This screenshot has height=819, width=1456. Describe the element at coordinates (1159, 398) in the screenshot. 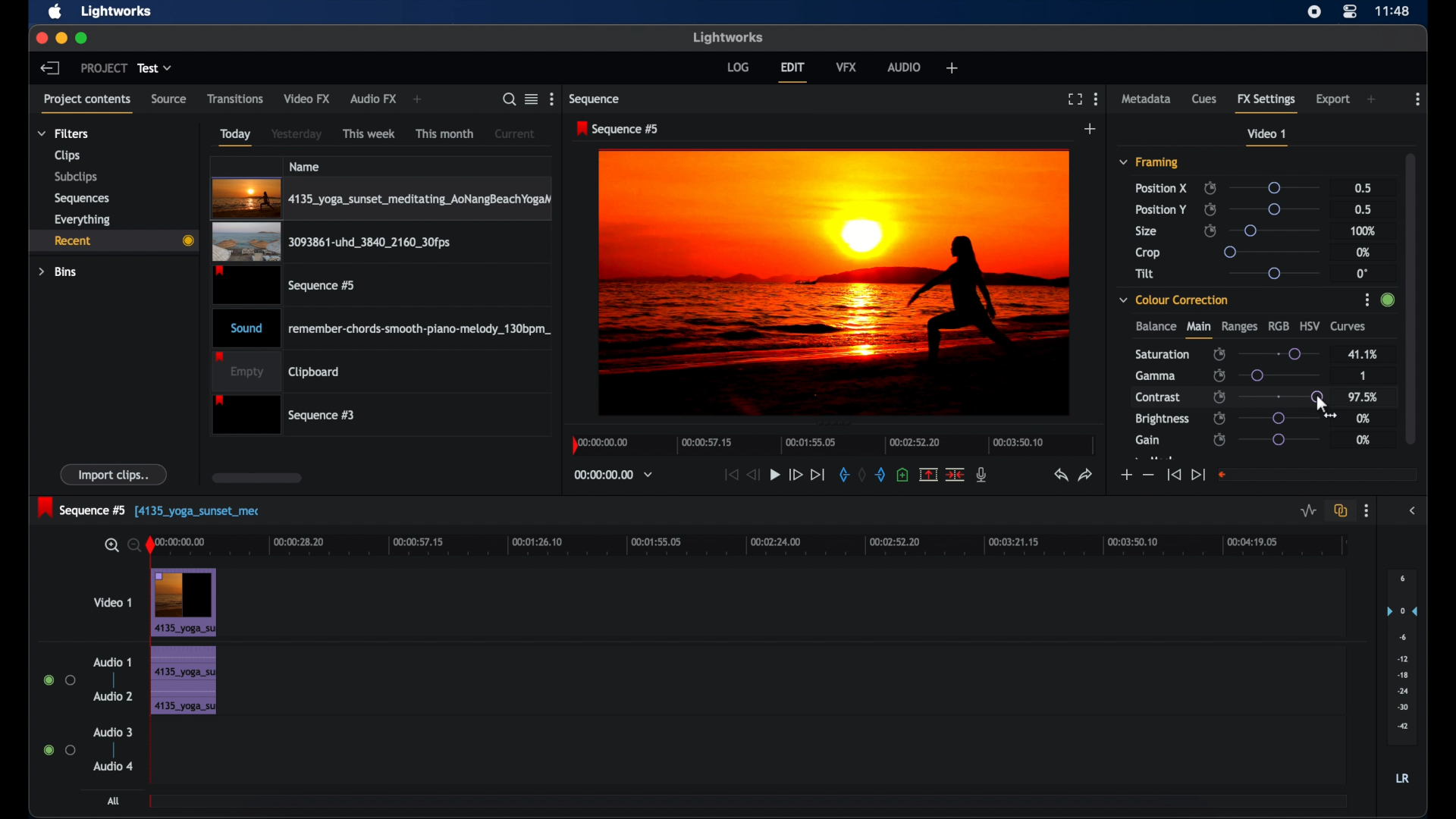

I see `contrast` at that location.